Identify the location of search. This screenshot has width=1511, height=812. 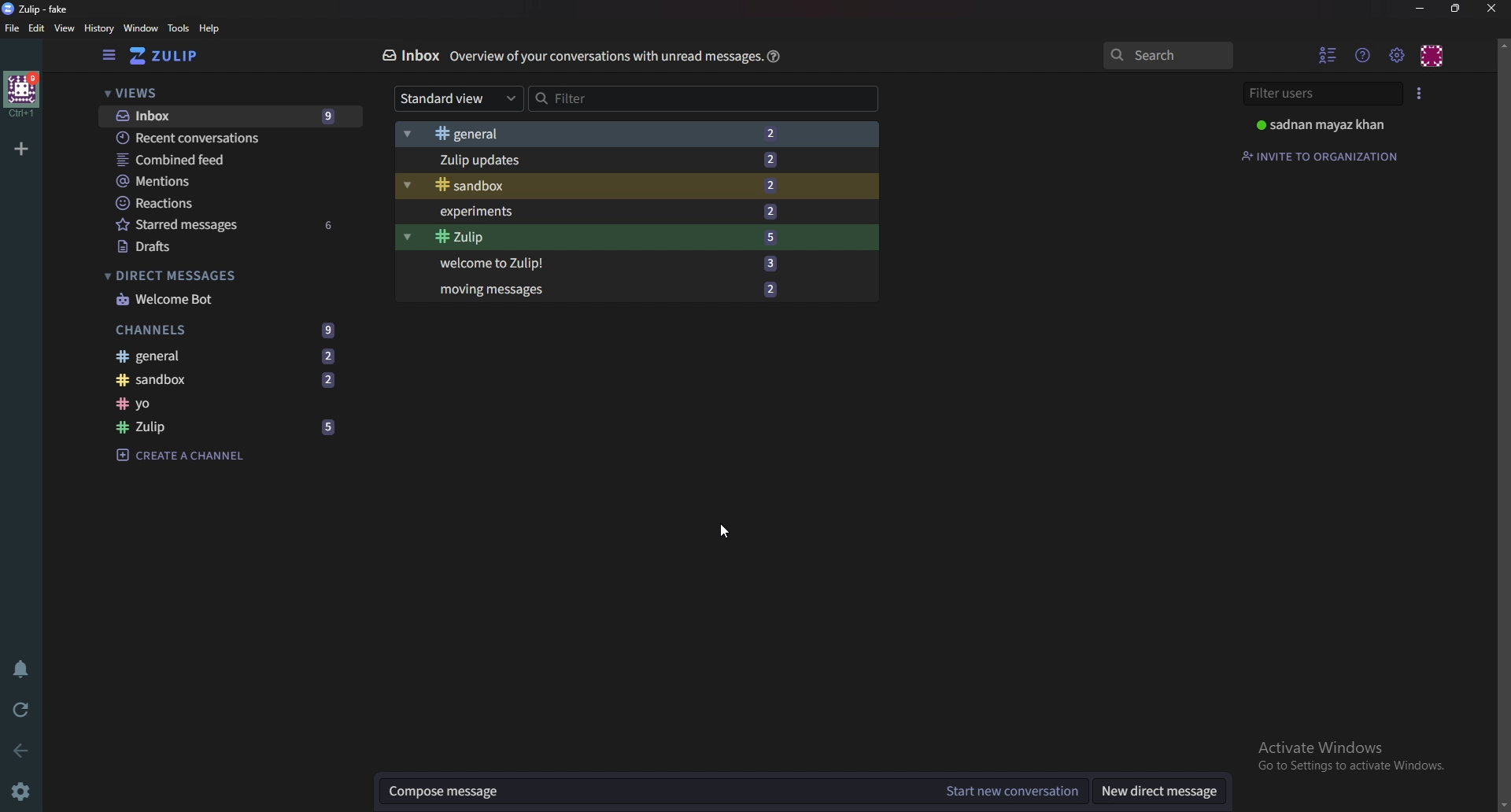
(1168, 56).